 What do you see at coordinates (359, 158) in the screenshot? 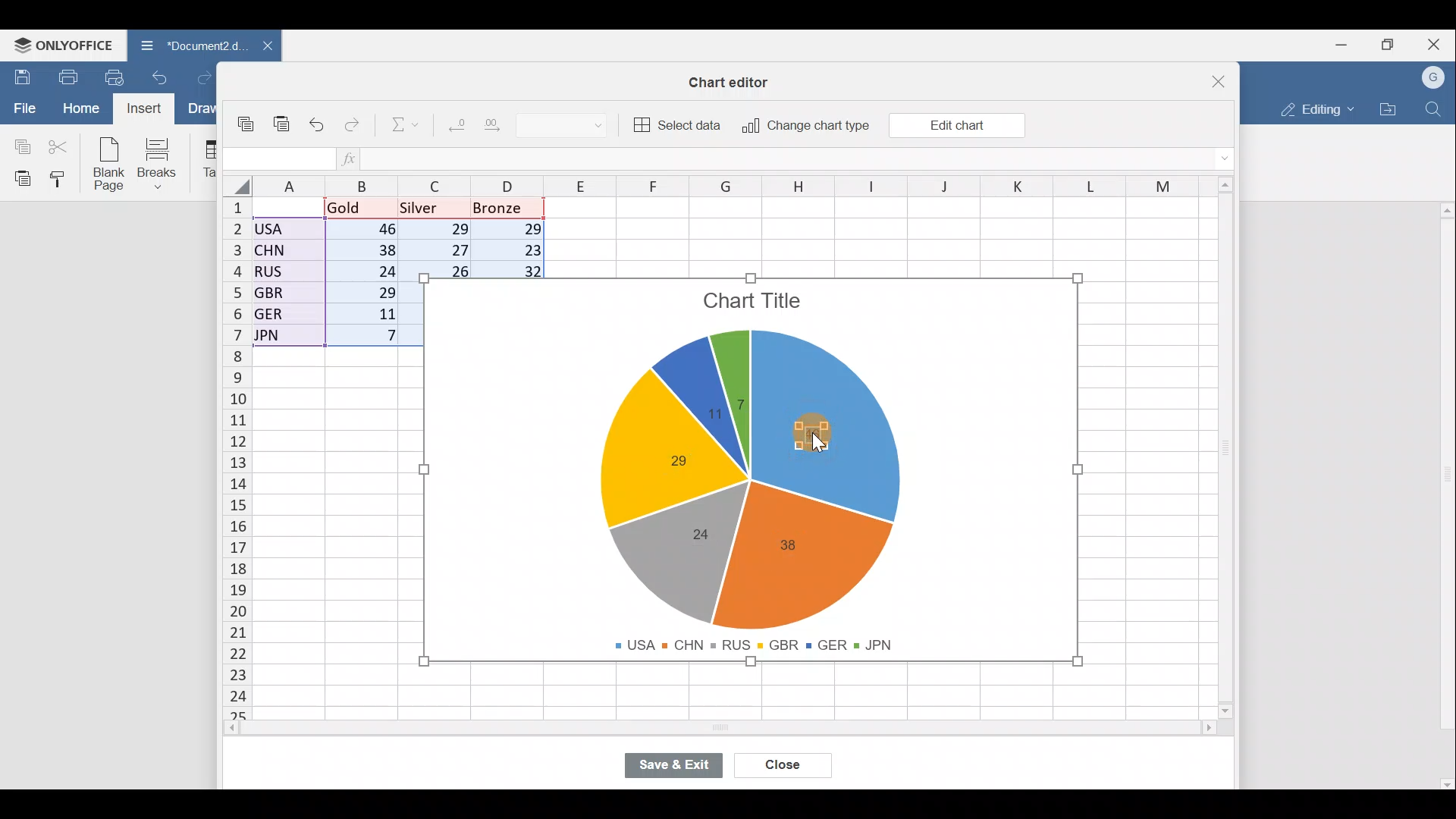
I see `Insert function` at bounding box center [359, 158].